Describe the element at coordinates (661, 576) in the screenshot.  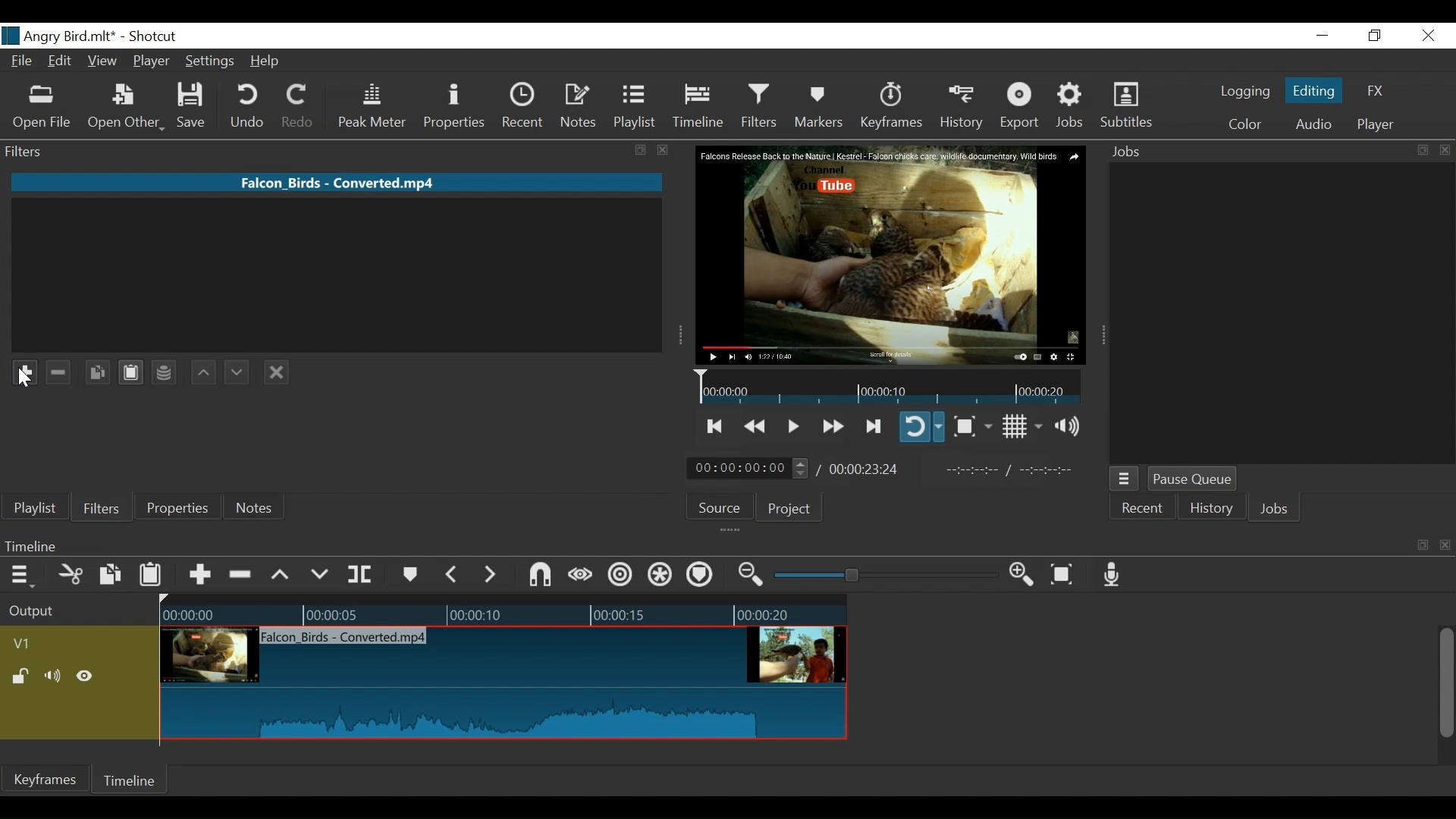
I see `Ripple all tracks` at that location.